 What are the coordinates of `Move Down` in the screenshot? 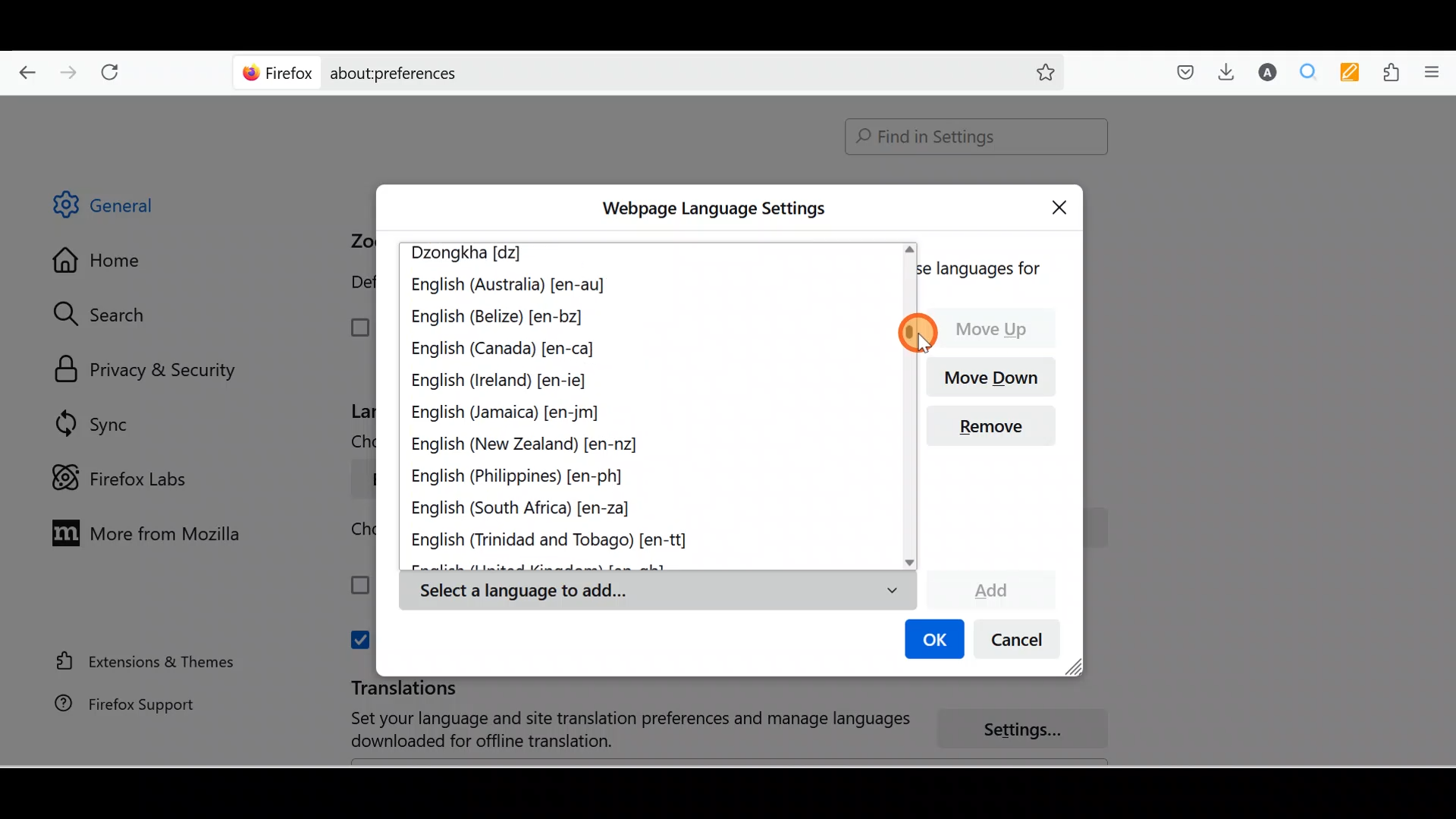 It's located at (997, 375).